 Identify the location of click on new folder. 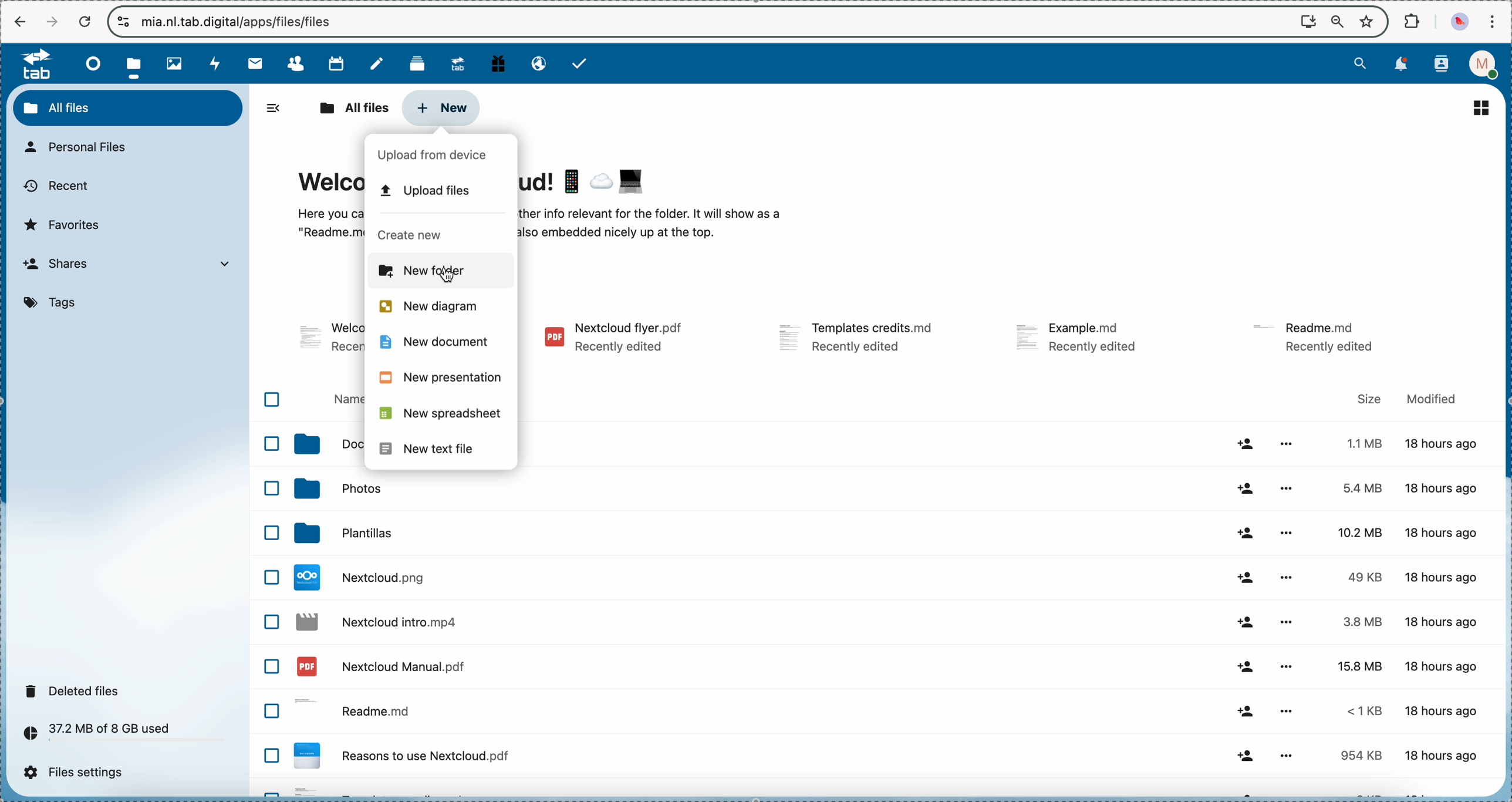
(441, 269).